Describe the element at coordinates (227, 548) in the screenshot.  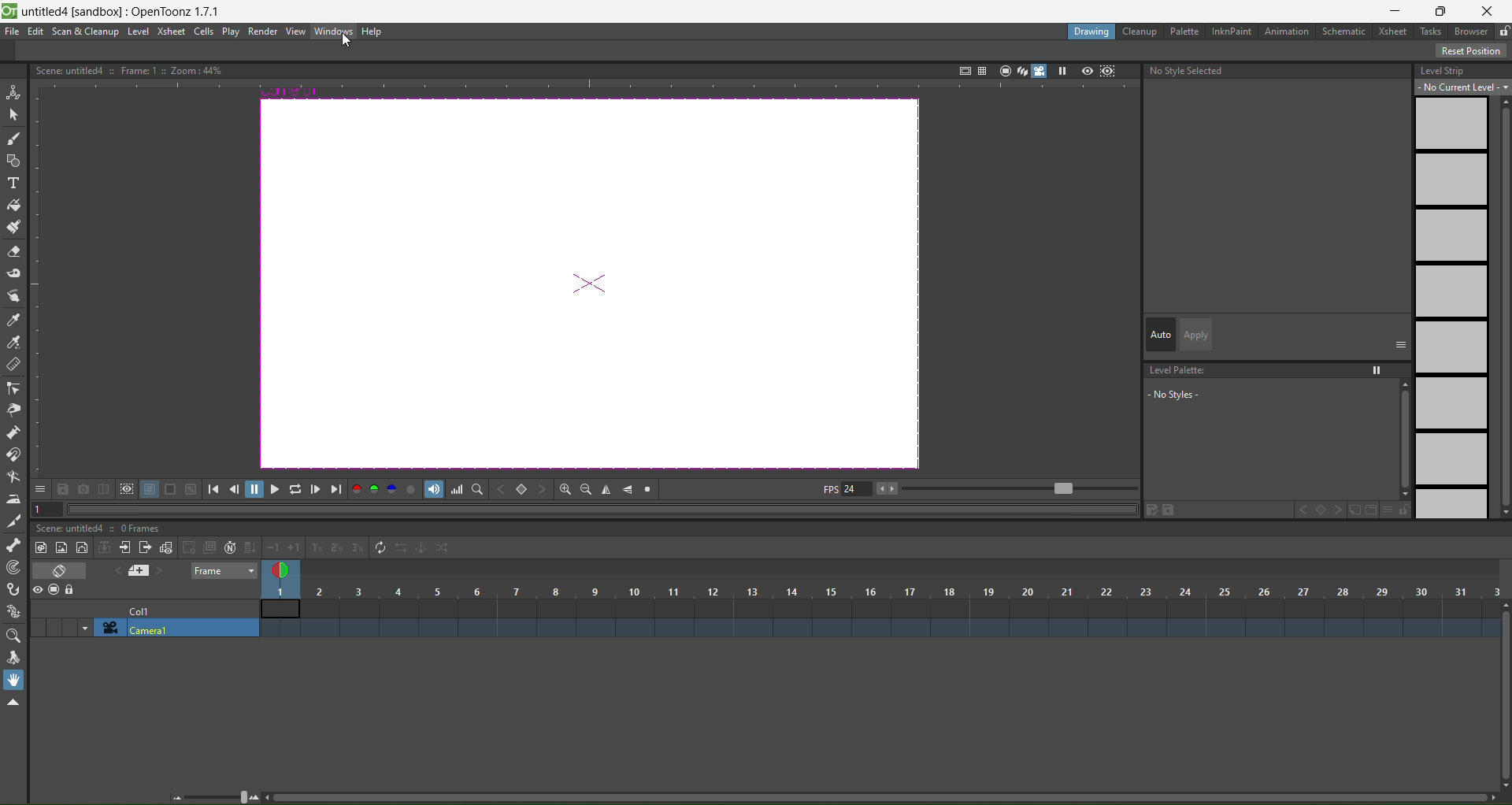
I see `auto input cell number` at that location.